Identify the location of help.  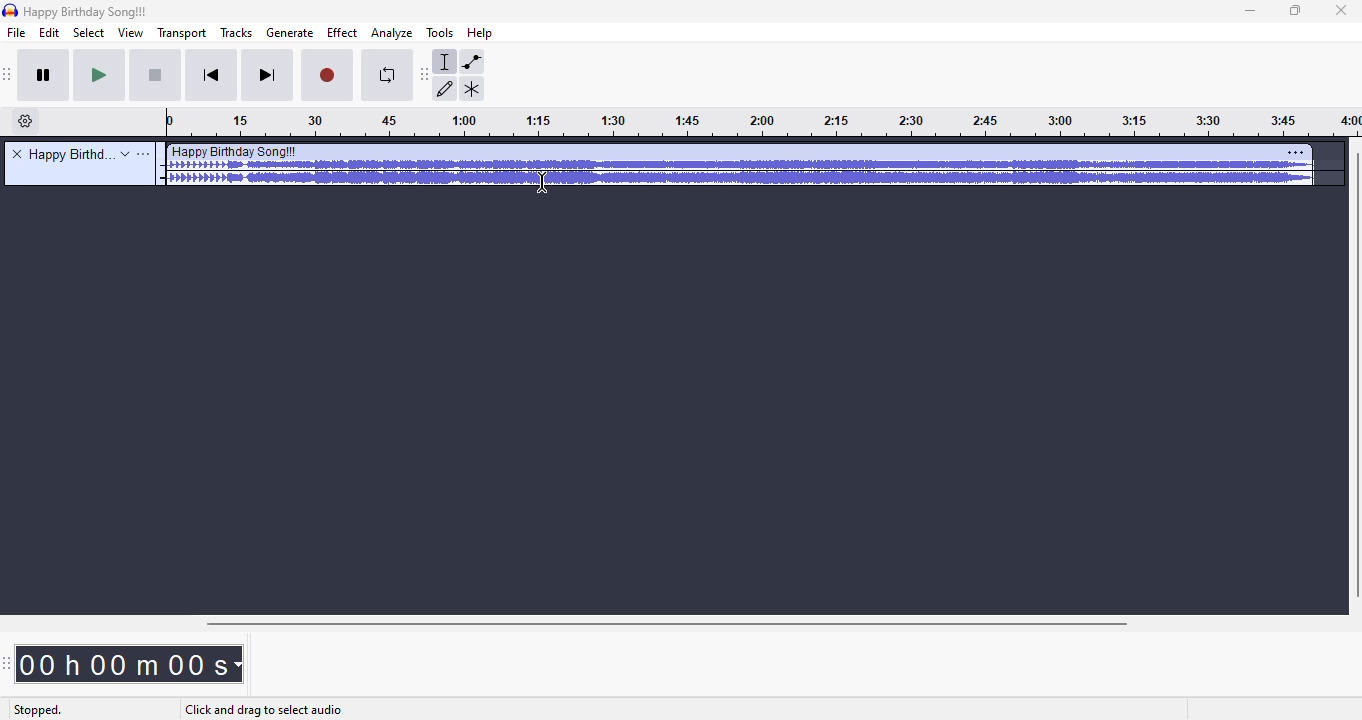
(481, 32).